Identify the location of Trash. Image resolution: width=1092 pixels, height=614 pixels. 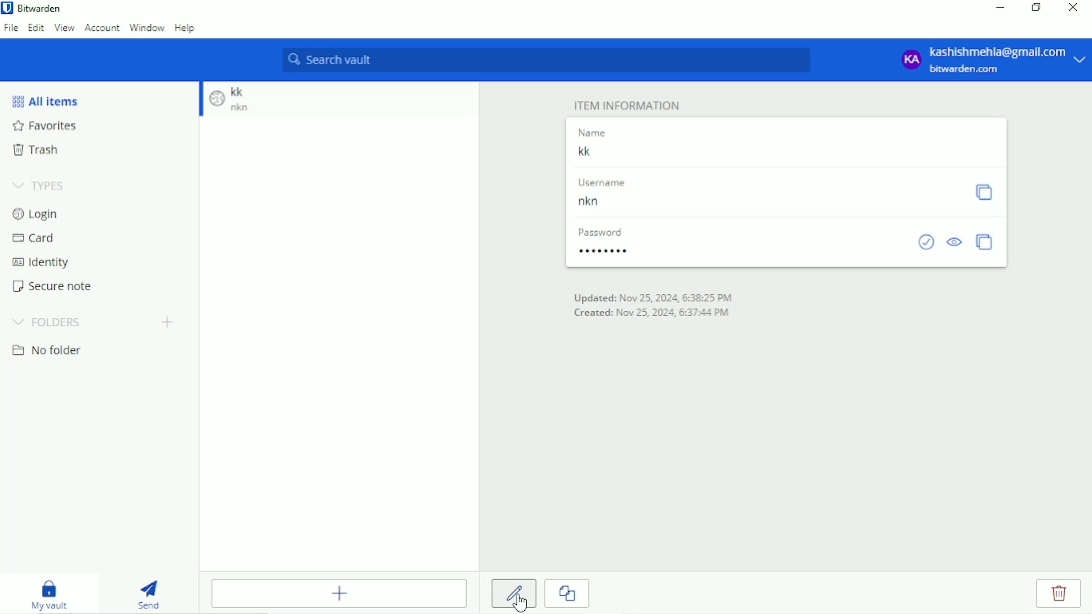
(39, 150).